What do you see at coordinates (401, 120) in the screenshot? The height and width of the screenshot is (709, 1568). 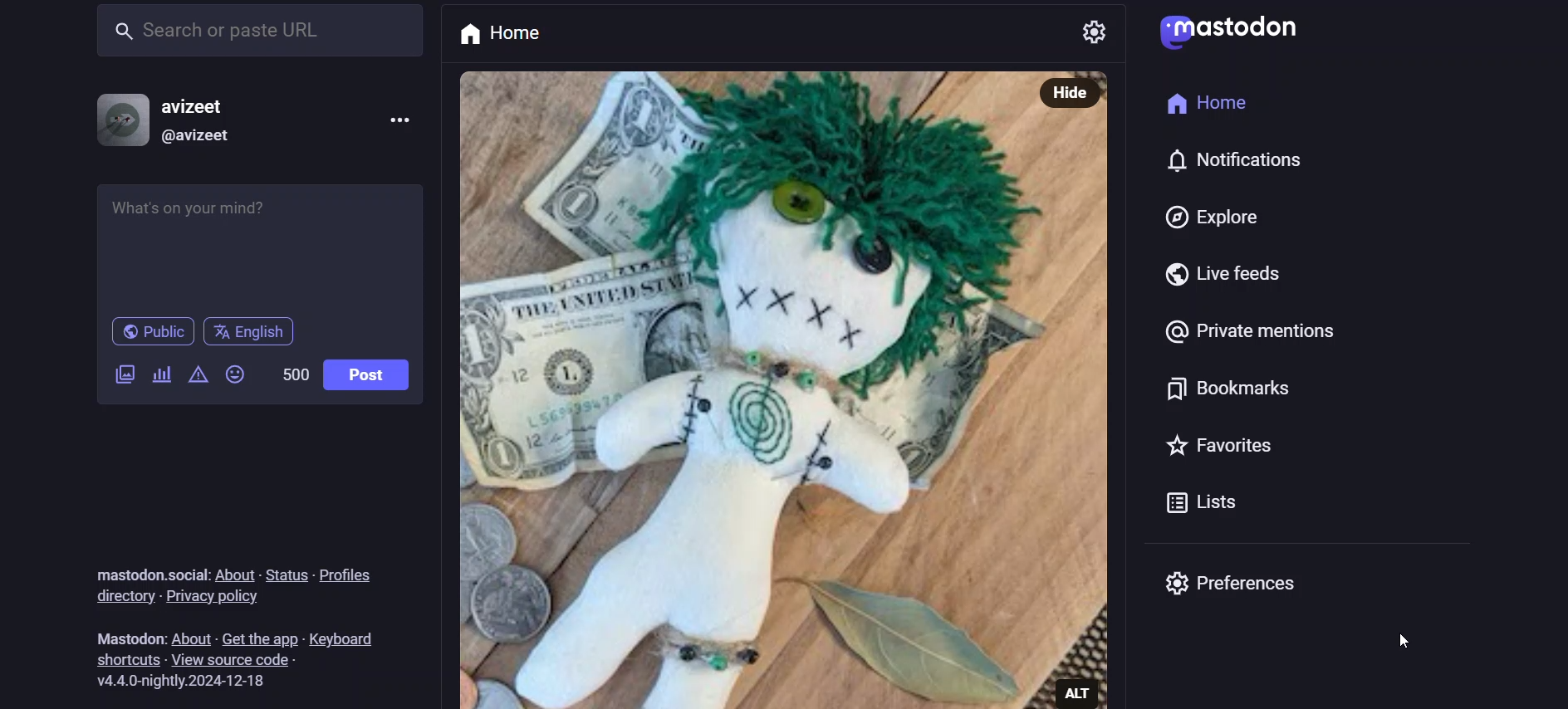 I see `more options` at bounding box center [401, 120].